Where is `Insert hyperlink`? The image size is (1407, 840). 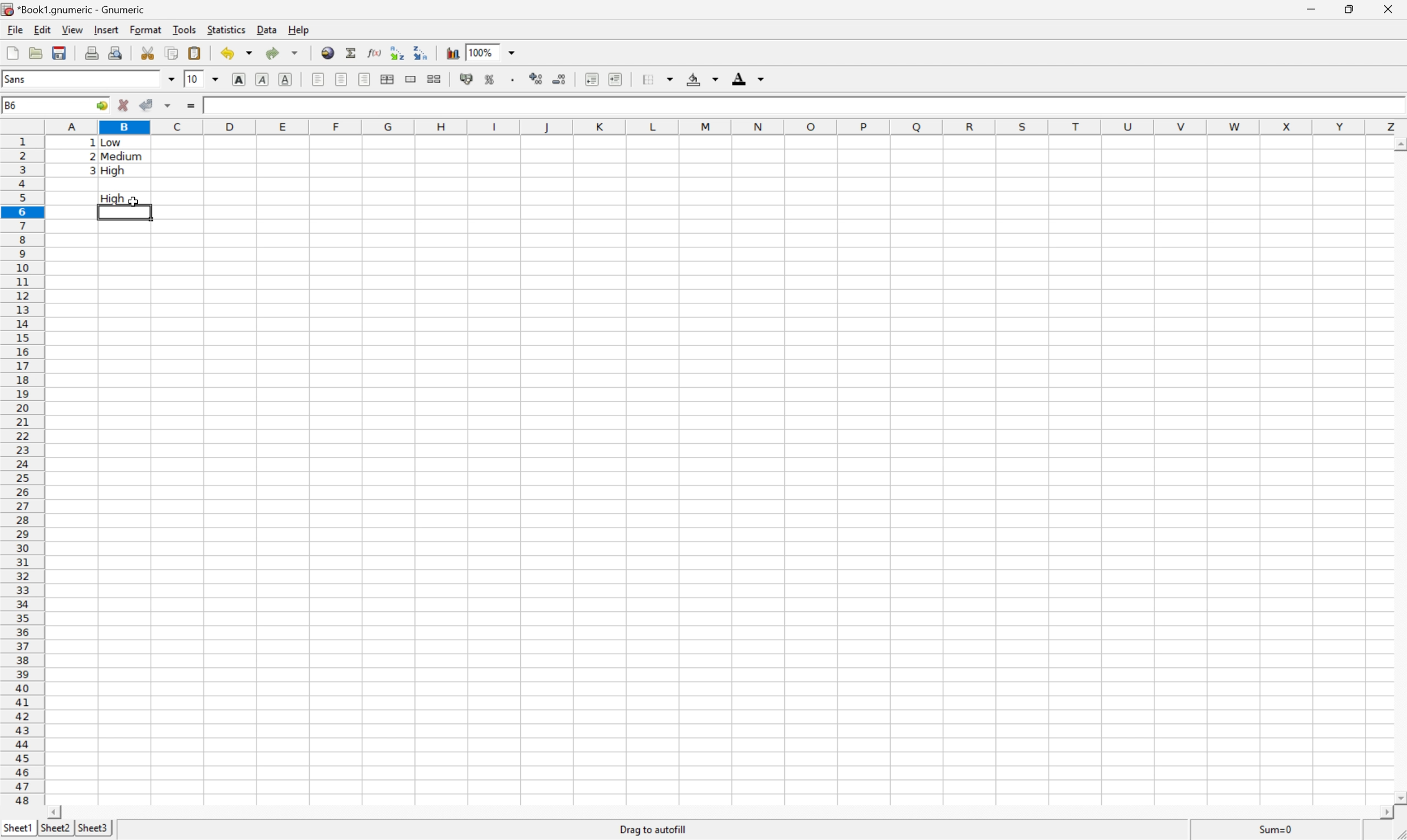 Insert hyperlink is located at coordinates (328, 52).